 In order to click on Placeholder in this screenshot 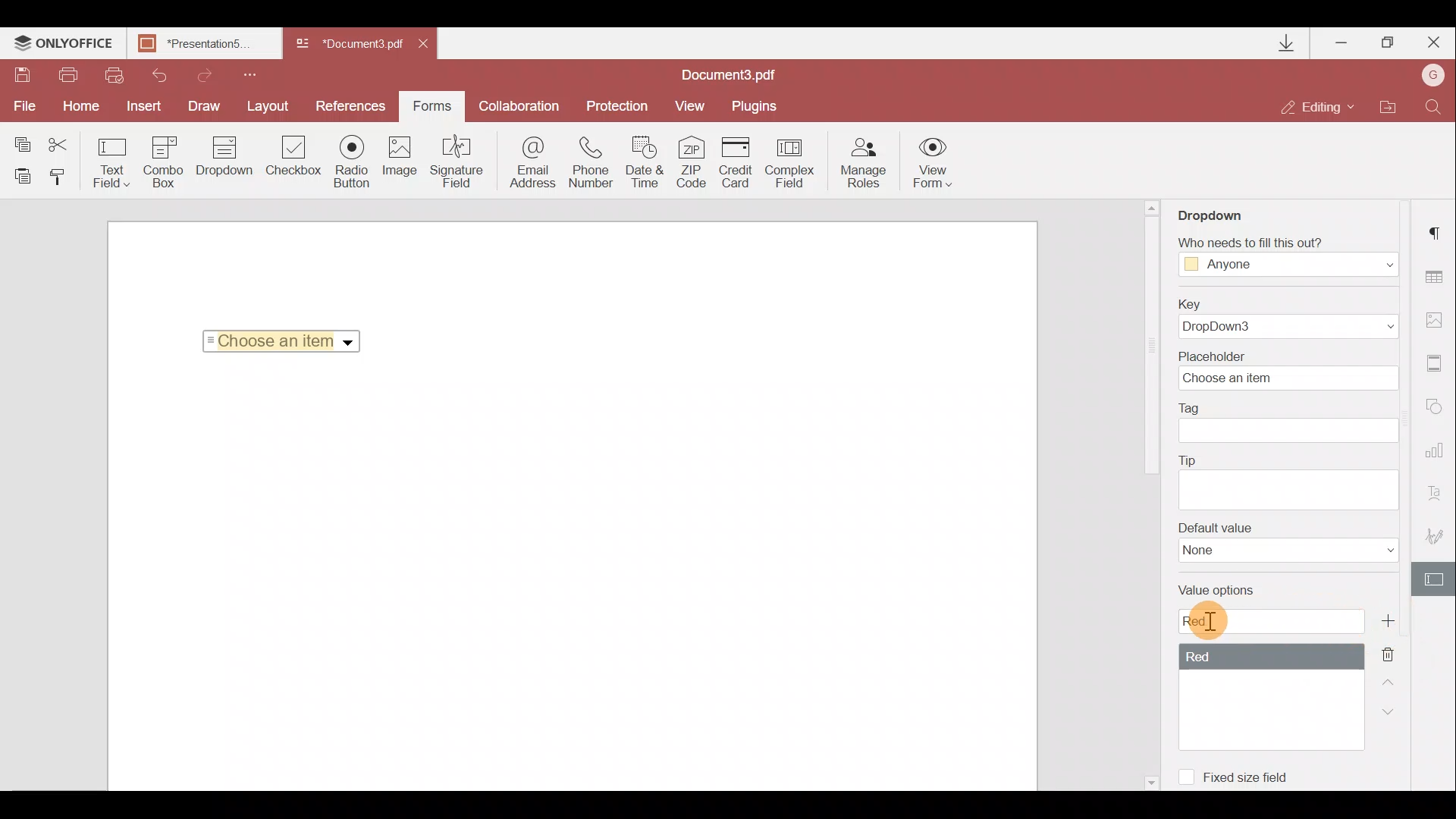, I will do `click(1285, 370)`.